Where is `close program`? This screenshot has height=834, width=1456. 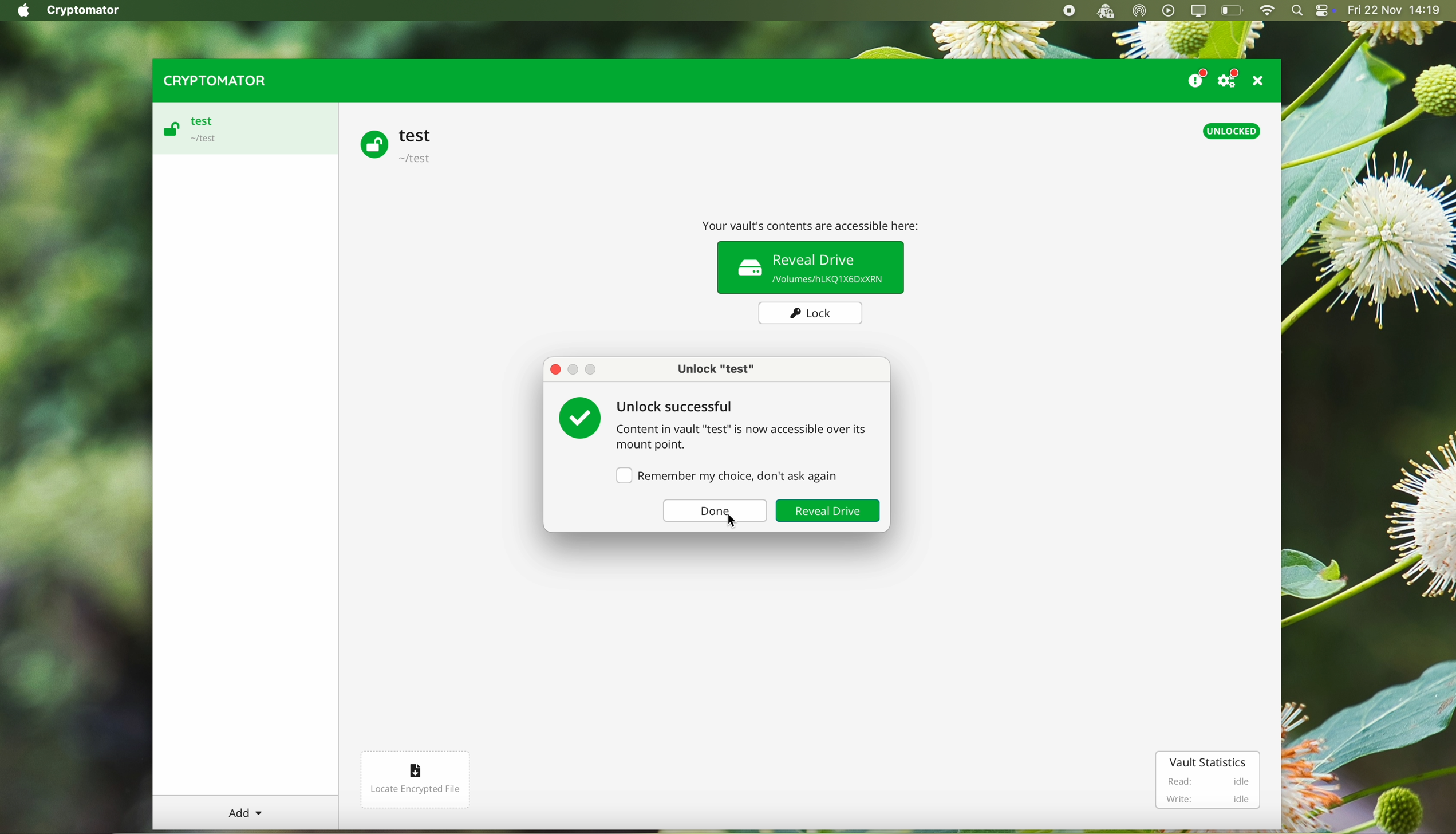 close program is located at coordinates (1261, 80).